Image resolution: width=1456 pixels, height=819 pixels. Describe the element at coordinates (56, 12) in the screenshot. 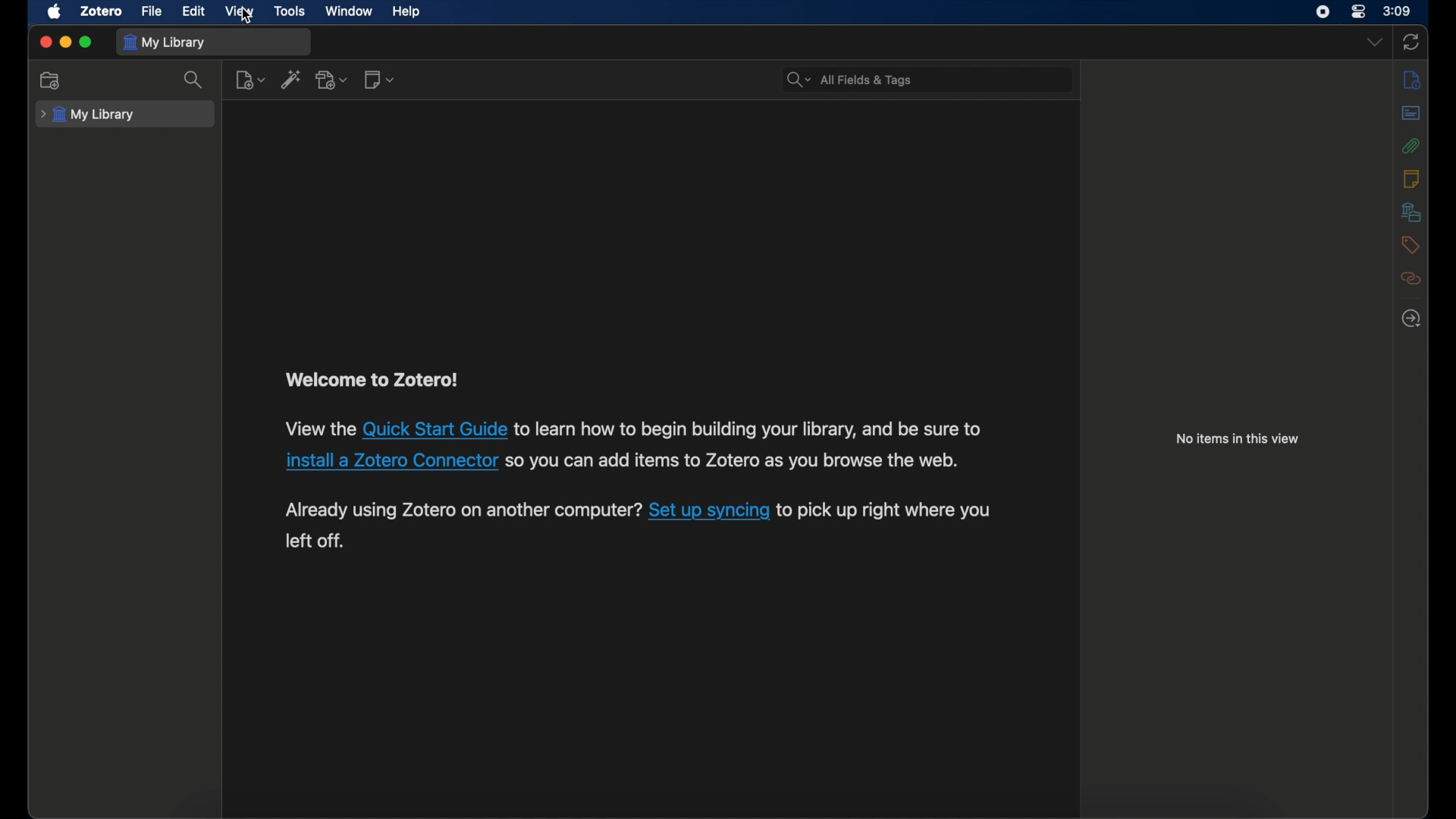

I see `apple icon` at that location.